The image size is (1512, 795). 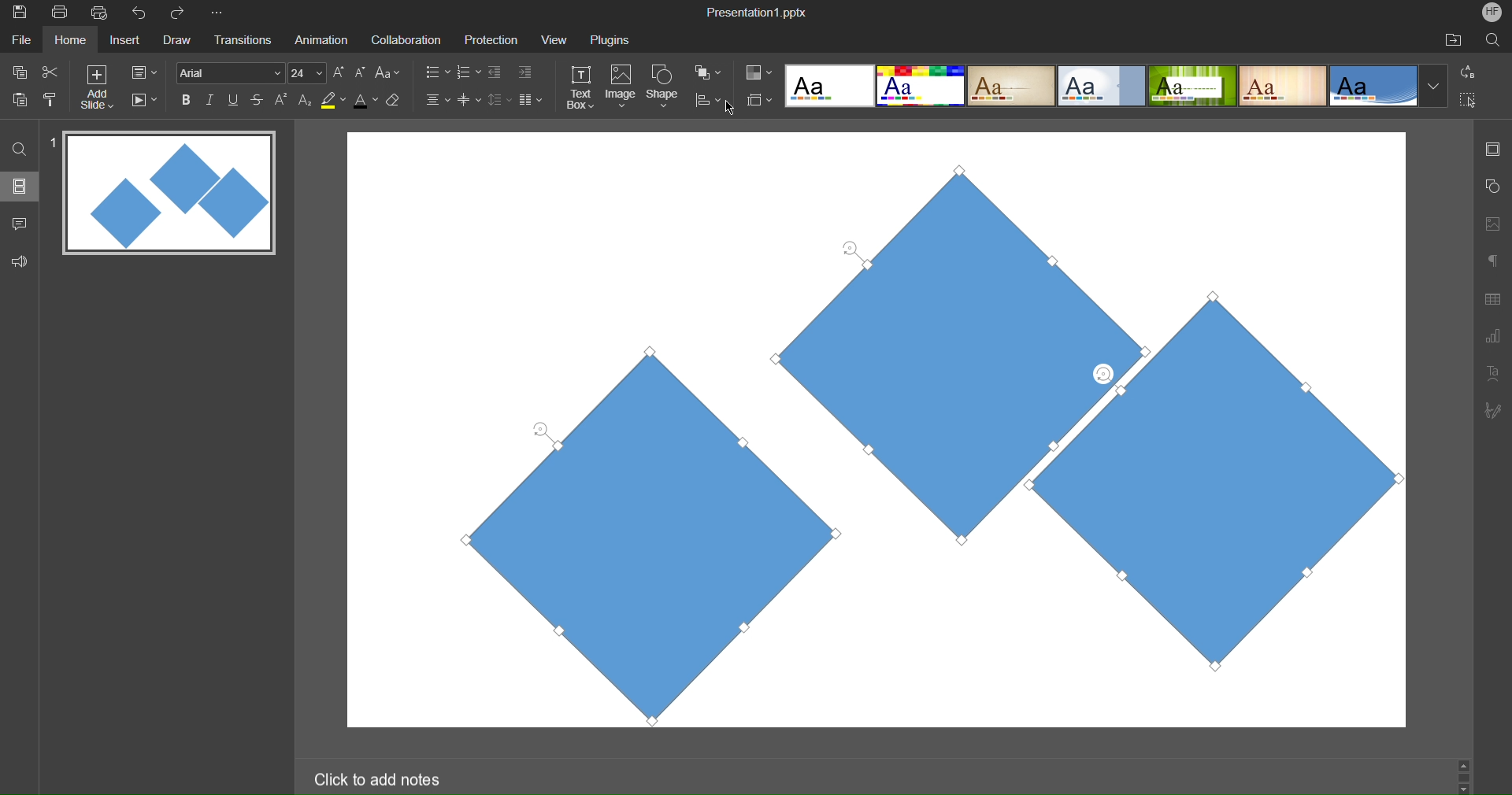 I want to click on select, so click(x=1474, y=102).